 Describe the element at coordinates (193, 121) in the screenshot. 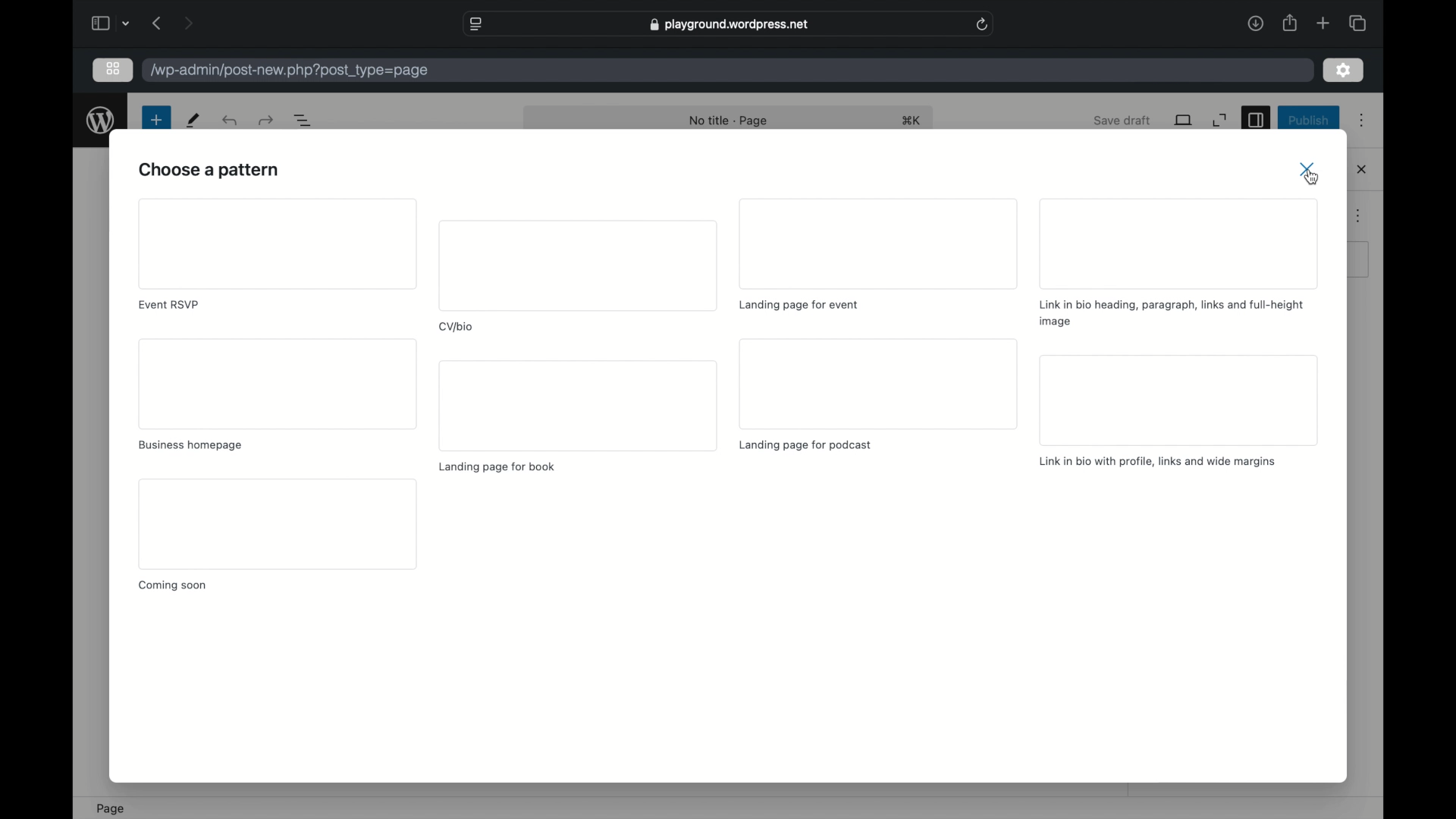

I see `tools` at that location.